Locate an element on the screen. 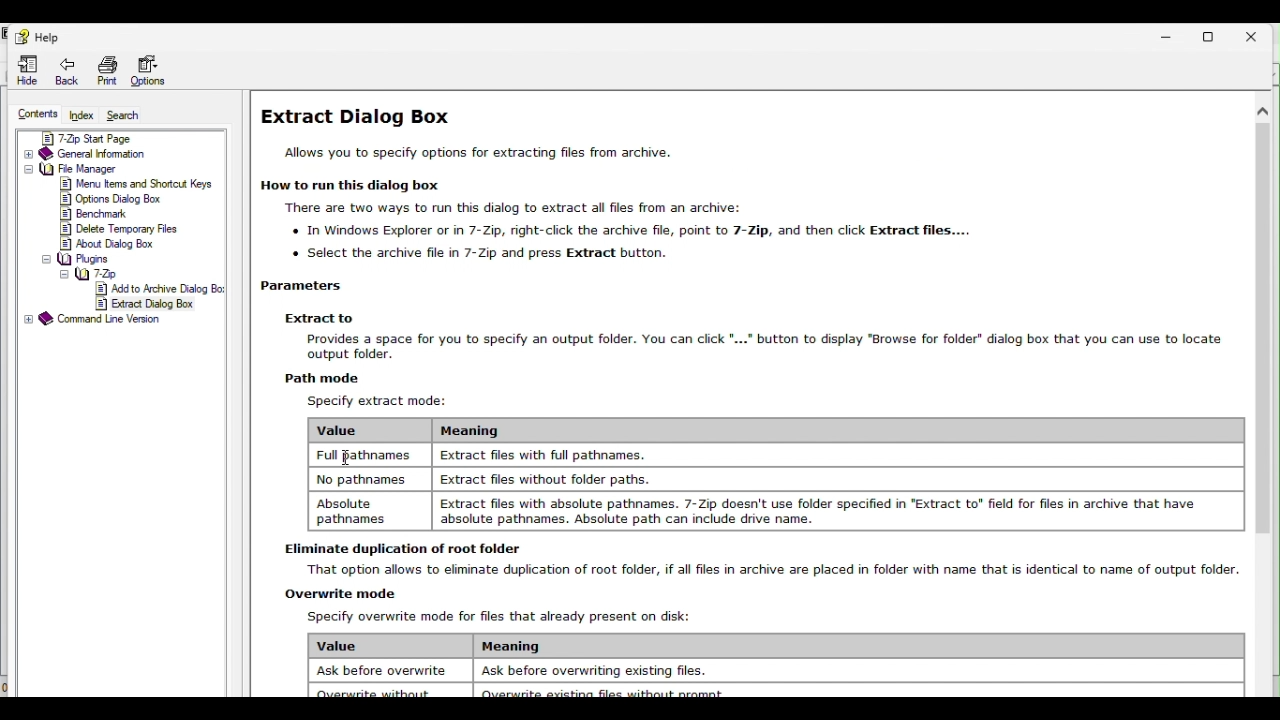 The image size is (1280, 720). eliminate is located at coordinates (395, 548).